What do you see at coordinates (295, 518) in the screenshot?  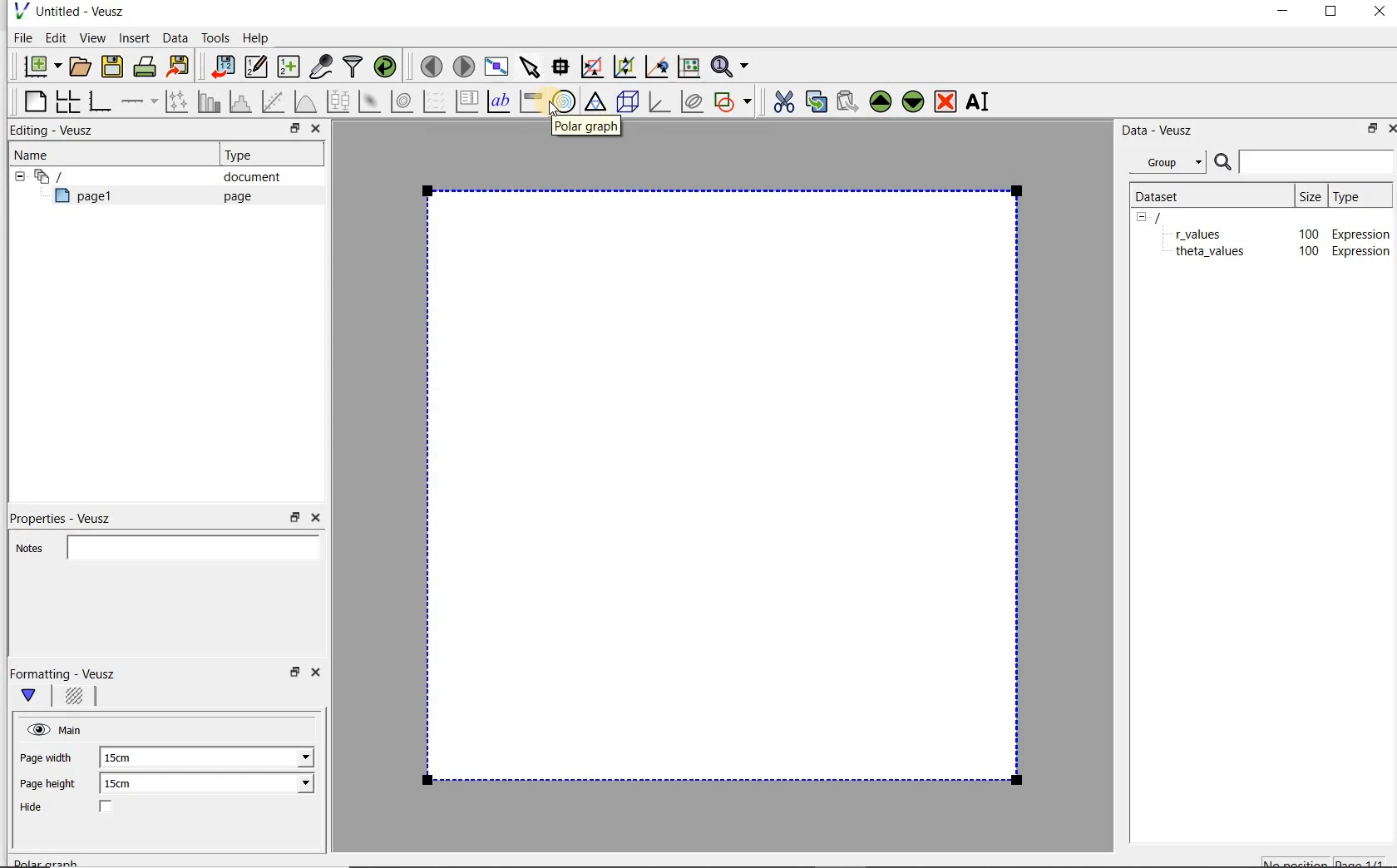 I see `restore down` at bounding box center [295, 518].